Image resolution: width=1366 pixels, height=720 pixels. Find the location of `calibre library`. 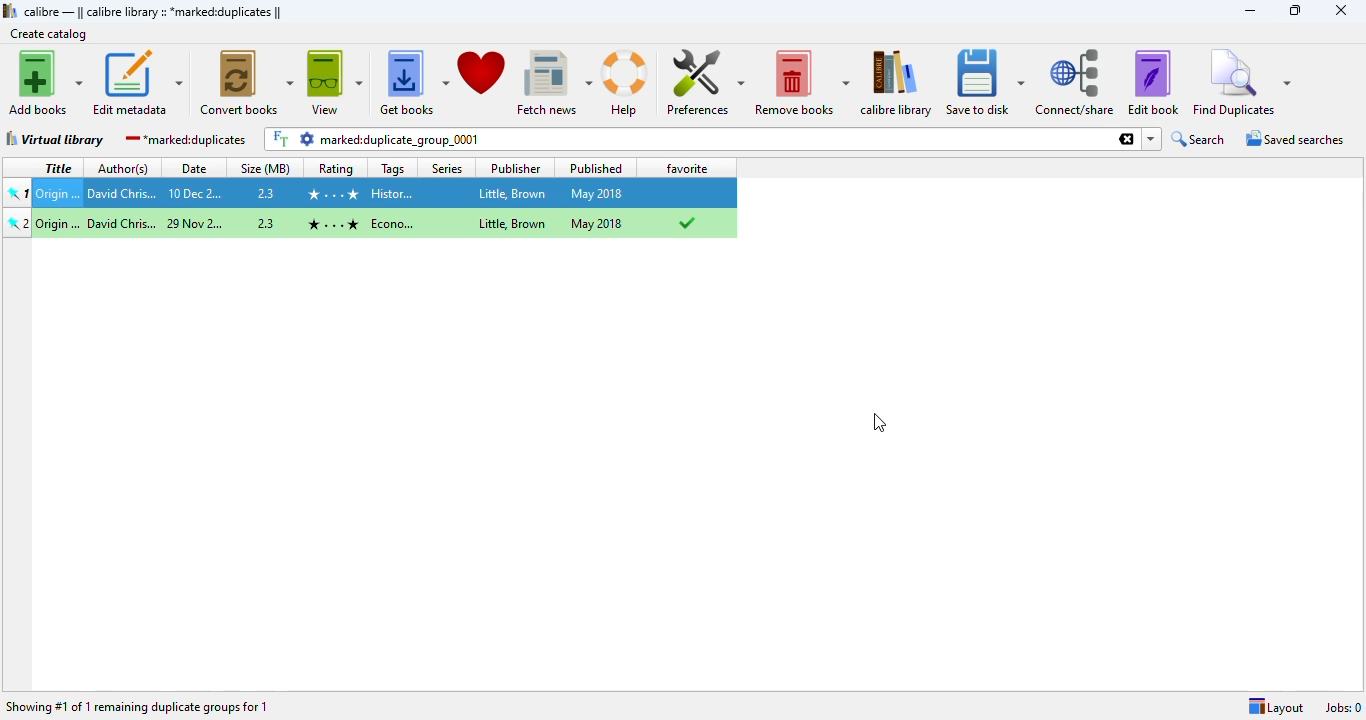

calibre library is located at coordinates (898, 83).